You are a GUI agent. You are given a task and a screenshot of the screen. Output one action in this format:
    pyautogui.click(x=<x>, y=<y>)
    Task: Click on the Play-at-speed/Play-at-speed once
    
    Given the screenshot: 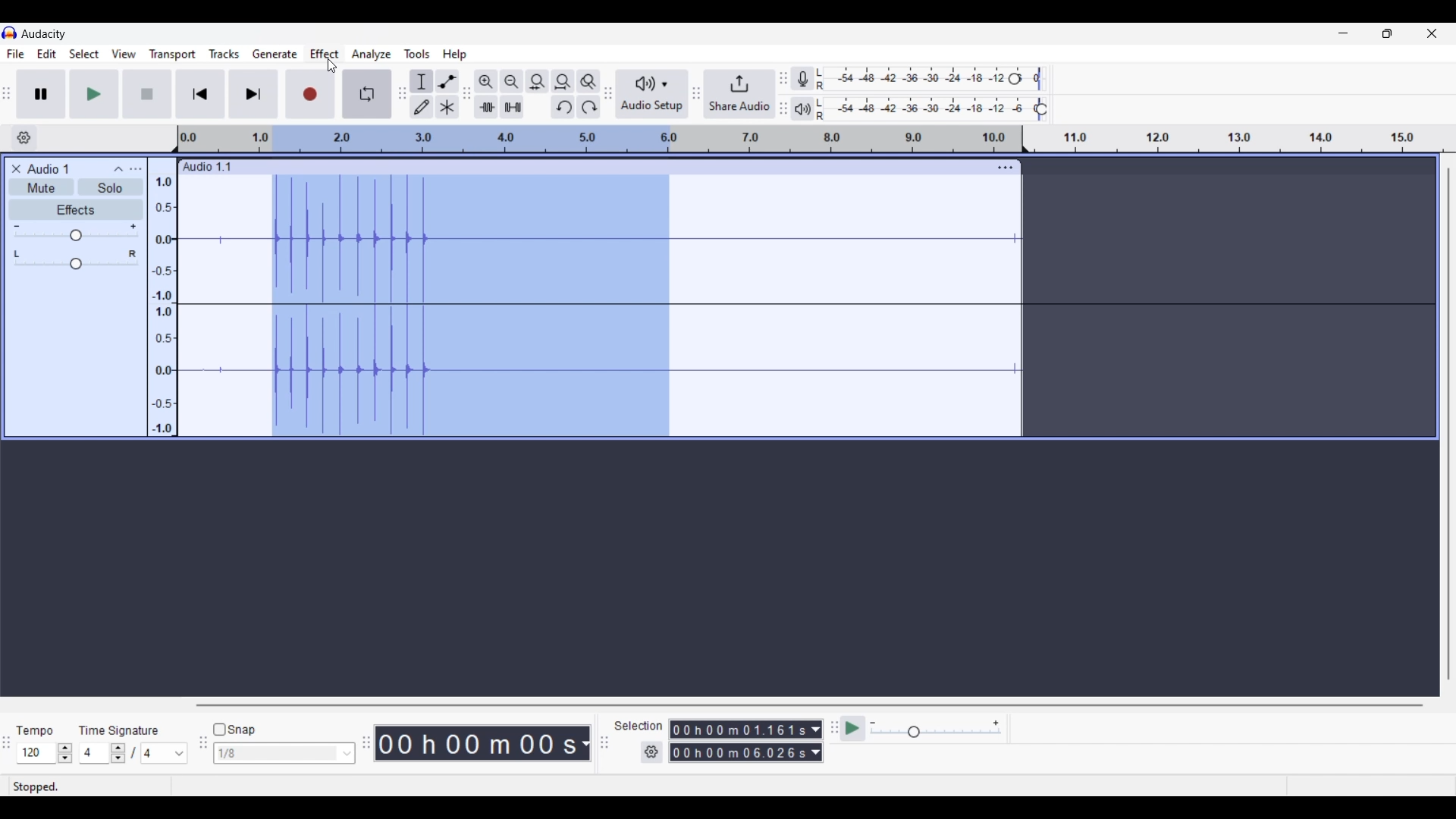 What is the action you would take?
    pyautogui.click(x=852, y=729)
    